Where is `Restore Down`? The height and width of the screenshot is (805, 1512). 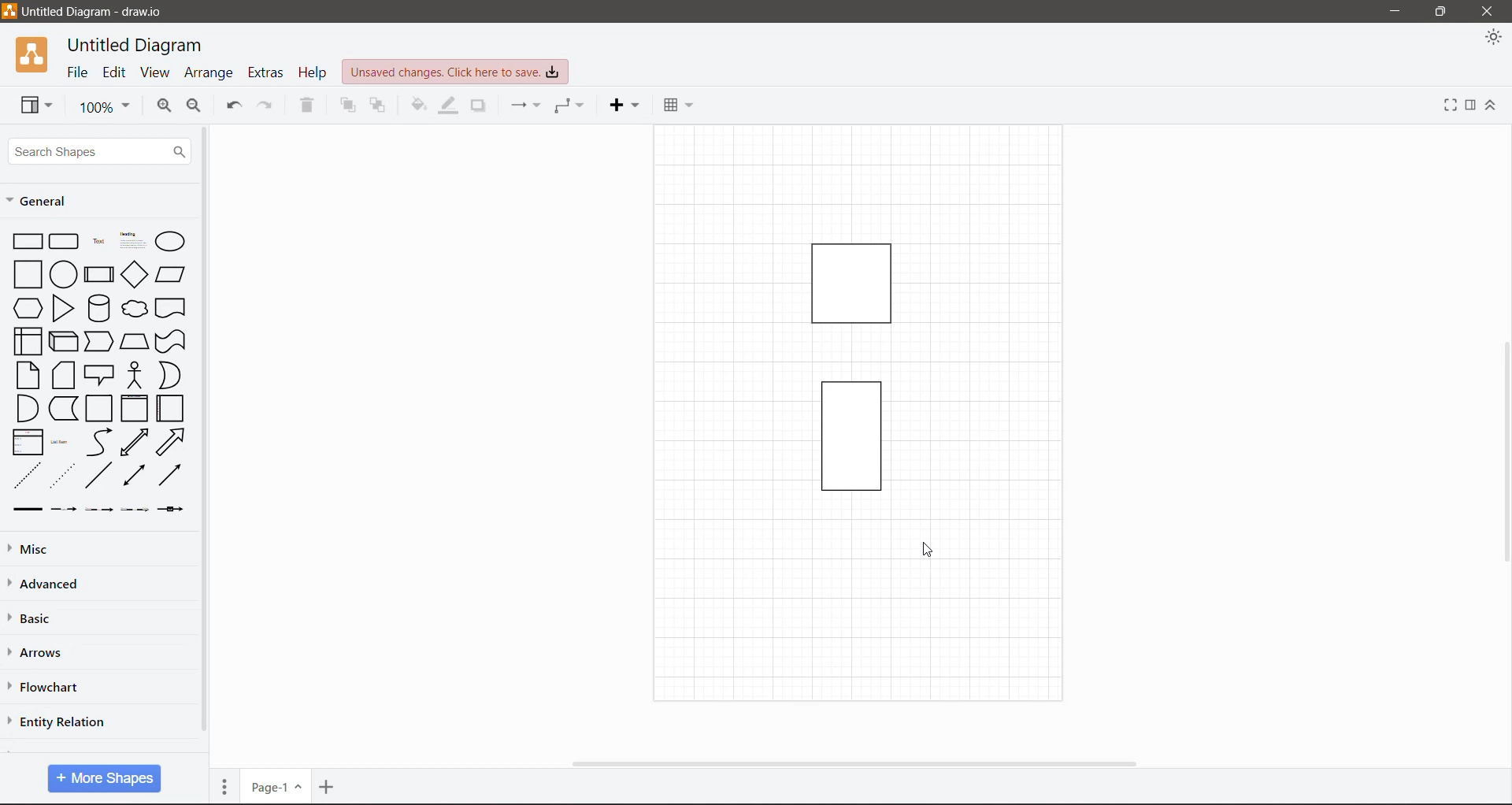
Restore Down is located at coordinates (1441, 12).